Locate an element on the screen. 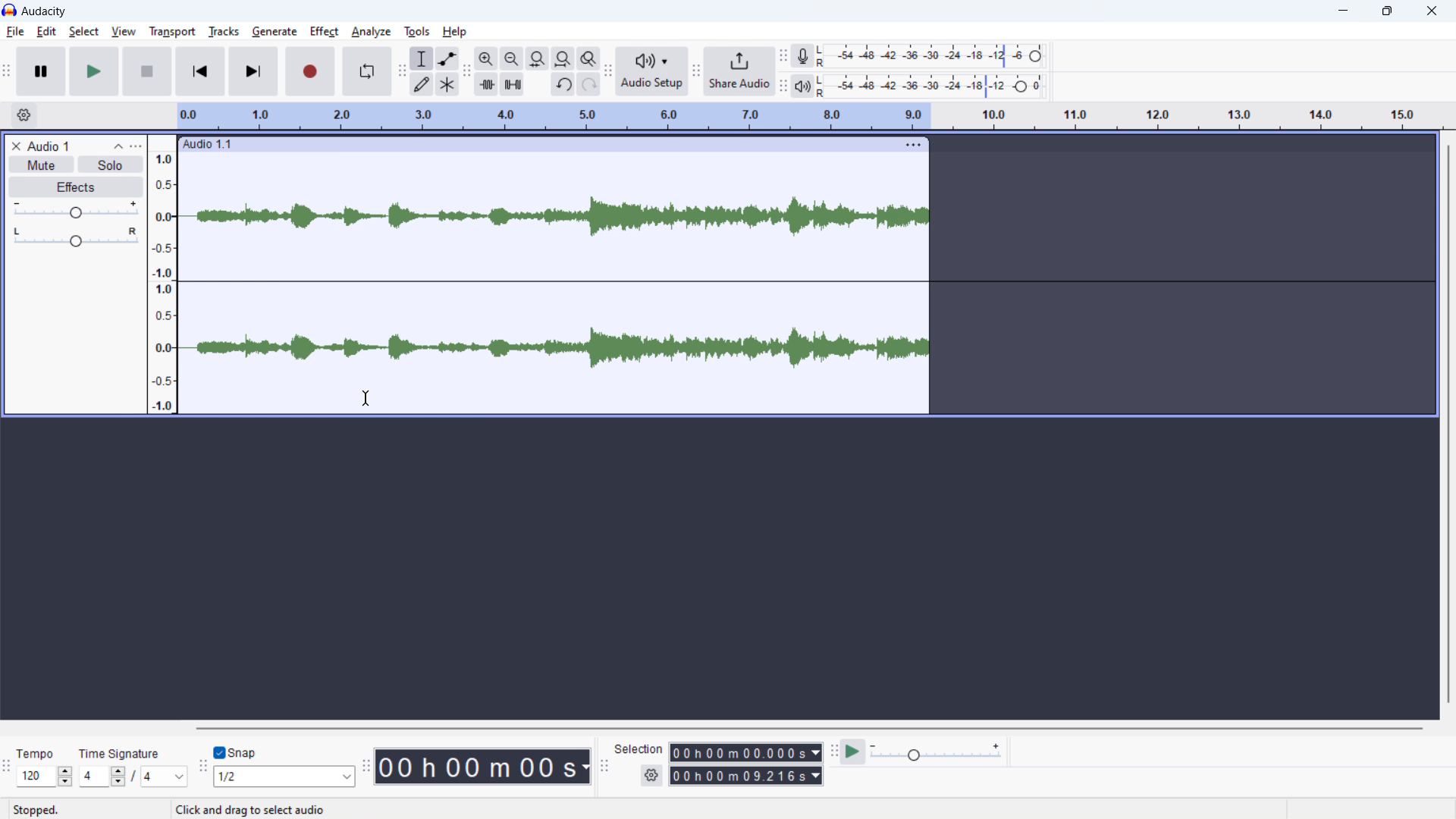 This screenshot has width=1456, height=819. transport is located at coordinates (172, 32).